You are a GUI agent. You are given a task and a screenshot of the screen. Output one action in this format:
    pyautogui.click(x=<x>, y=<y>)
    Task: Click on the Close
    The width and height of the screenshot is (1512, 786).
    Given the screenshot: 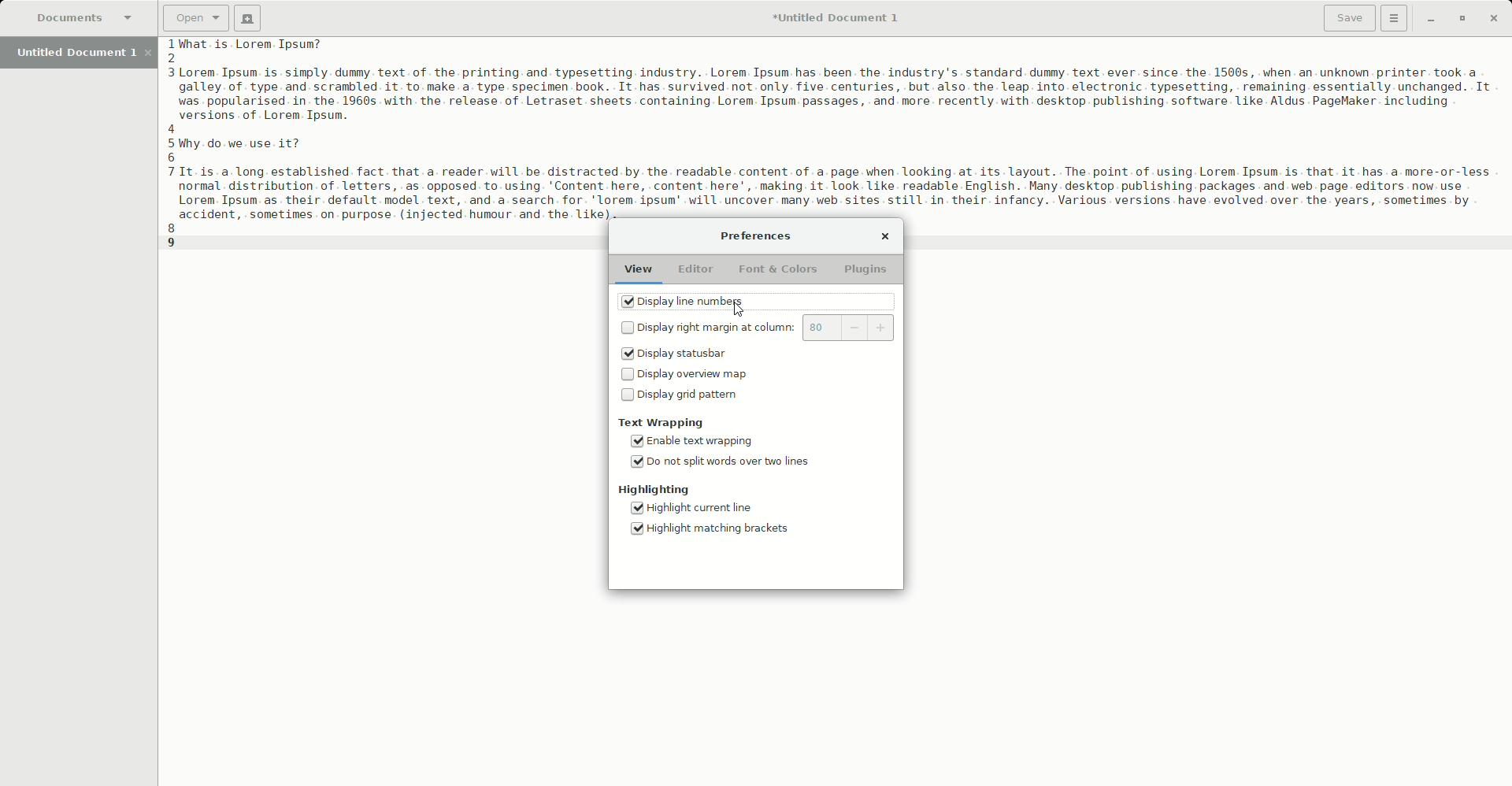 What is the action you would take?
    pyautogui.click(x=889, y=235)
    